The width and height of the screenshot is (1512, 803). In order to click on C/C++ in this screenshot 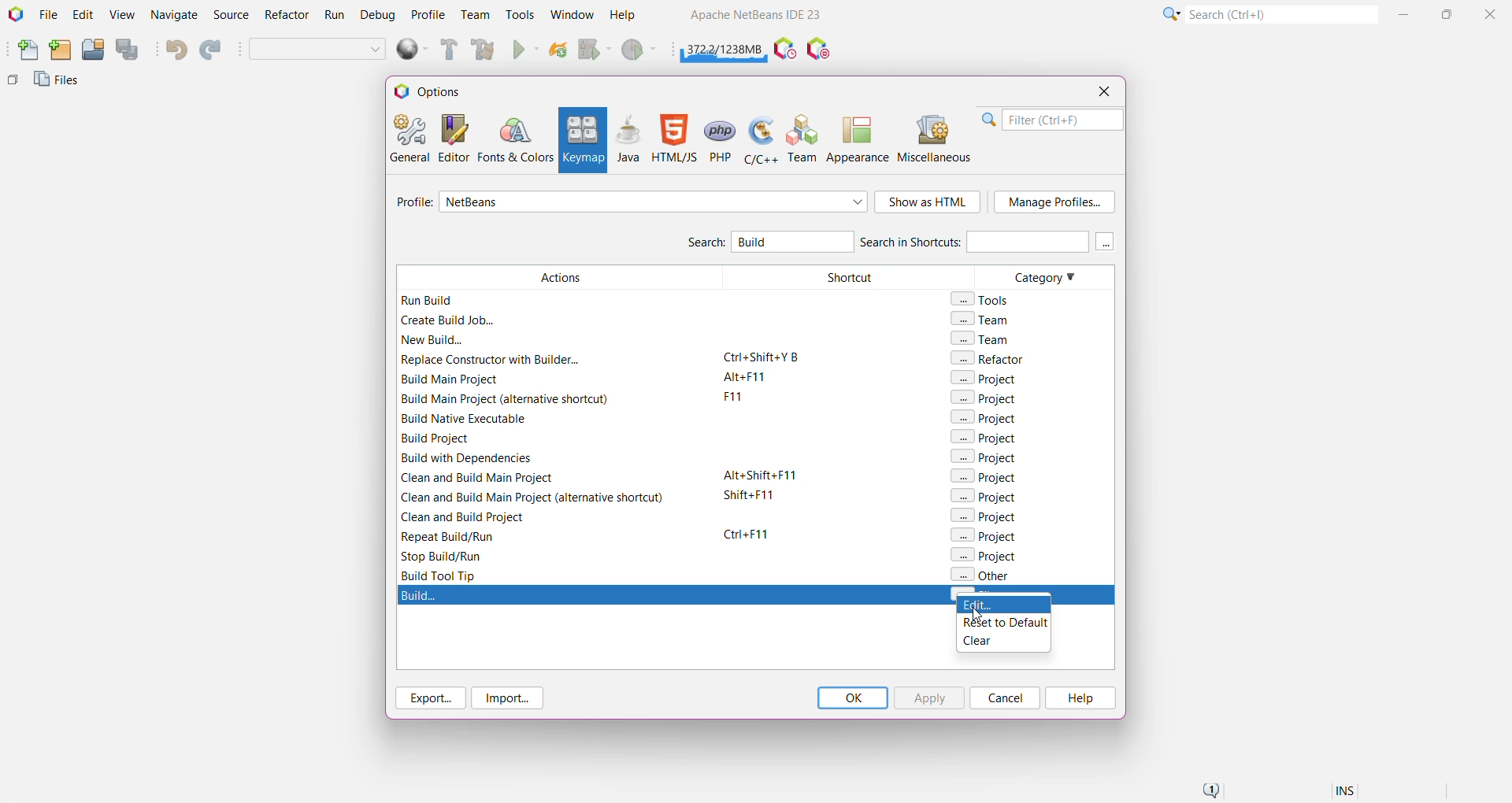, I will do `click(759, 139)`.